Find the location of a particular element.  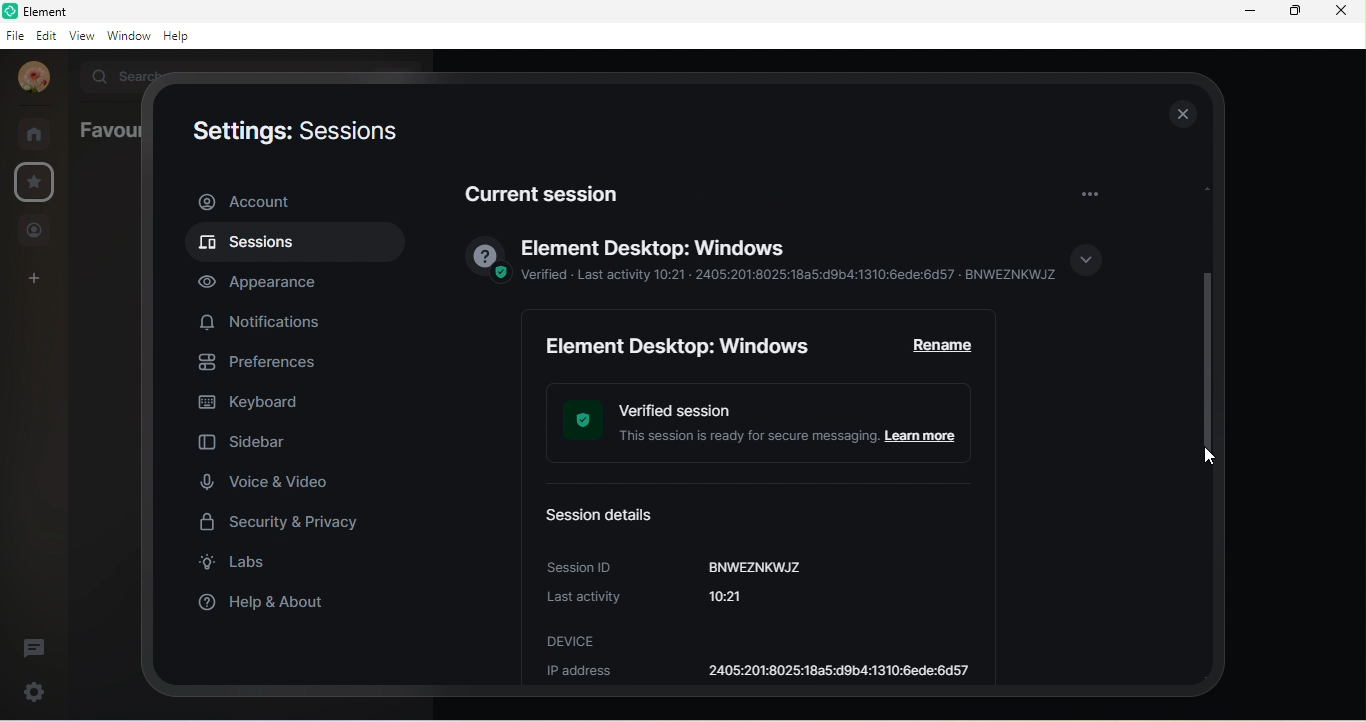

maximize is located at coordinates (1293, 10).